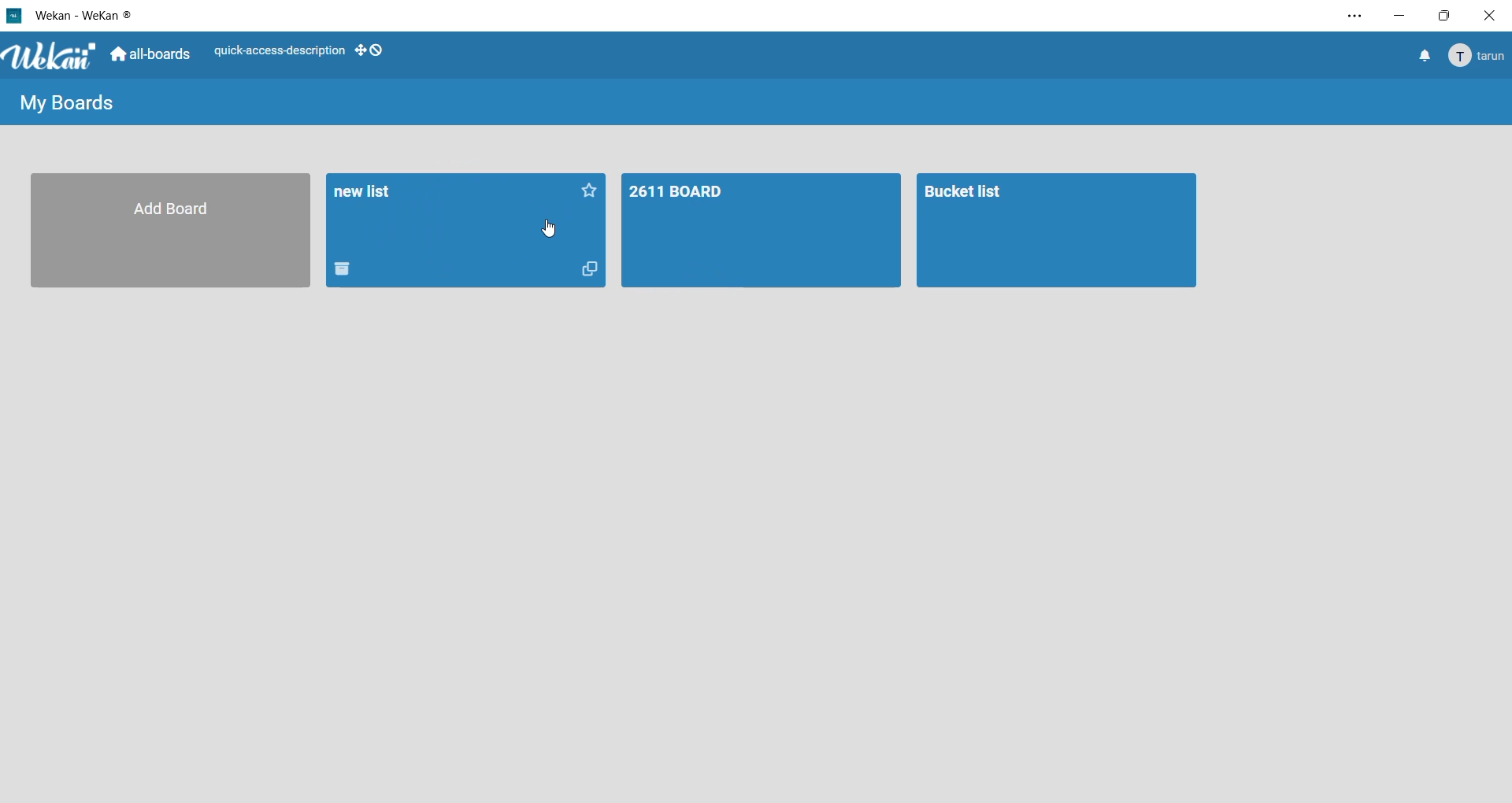 The width and height of the screenshot is (1512, 803). What do you see at coordinates (595, 271) in the screenshot?
I see `duplicate` at bounding box center [595, 271].